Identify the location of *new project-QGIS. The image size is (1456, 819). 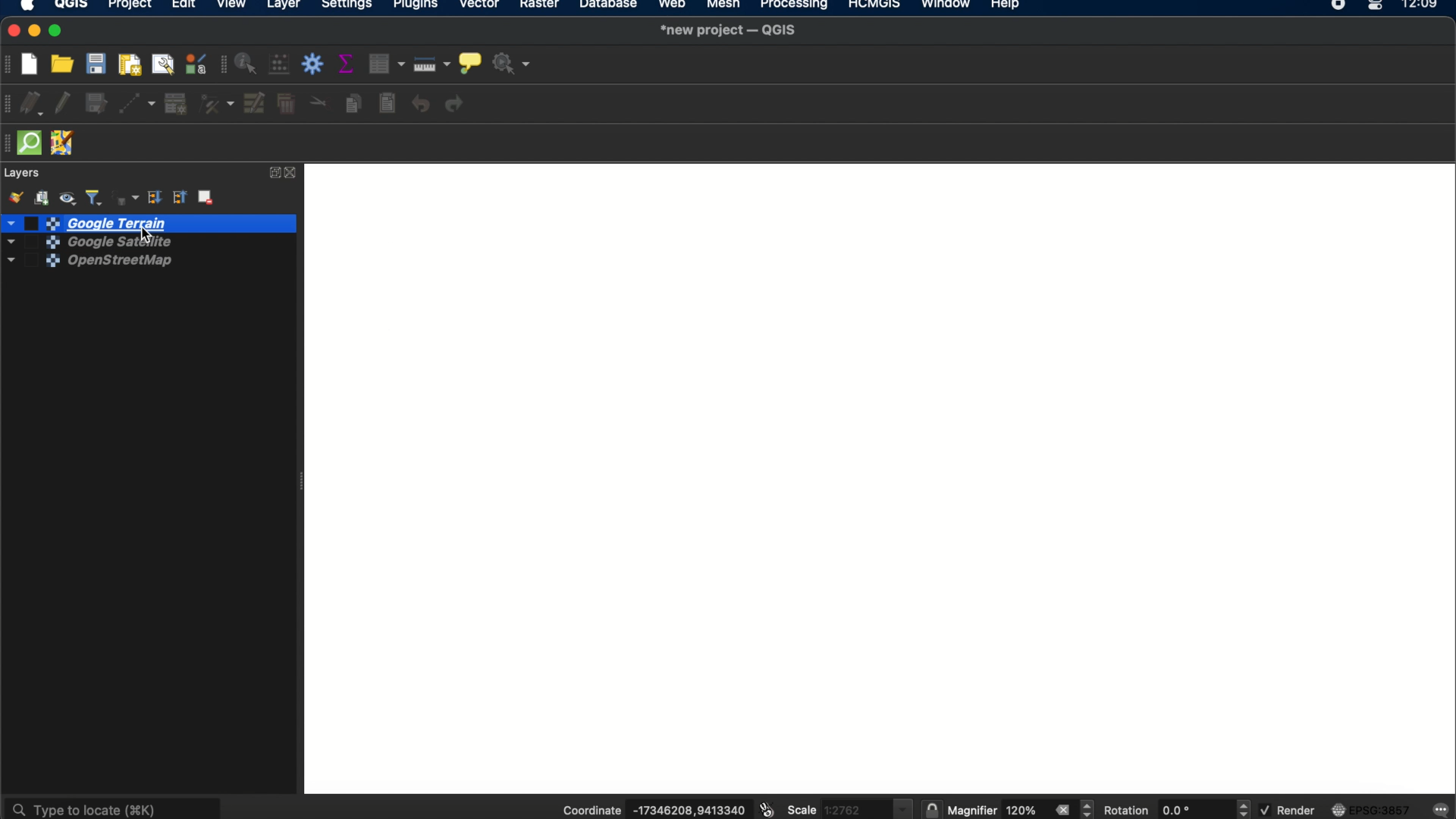
(730, 31).